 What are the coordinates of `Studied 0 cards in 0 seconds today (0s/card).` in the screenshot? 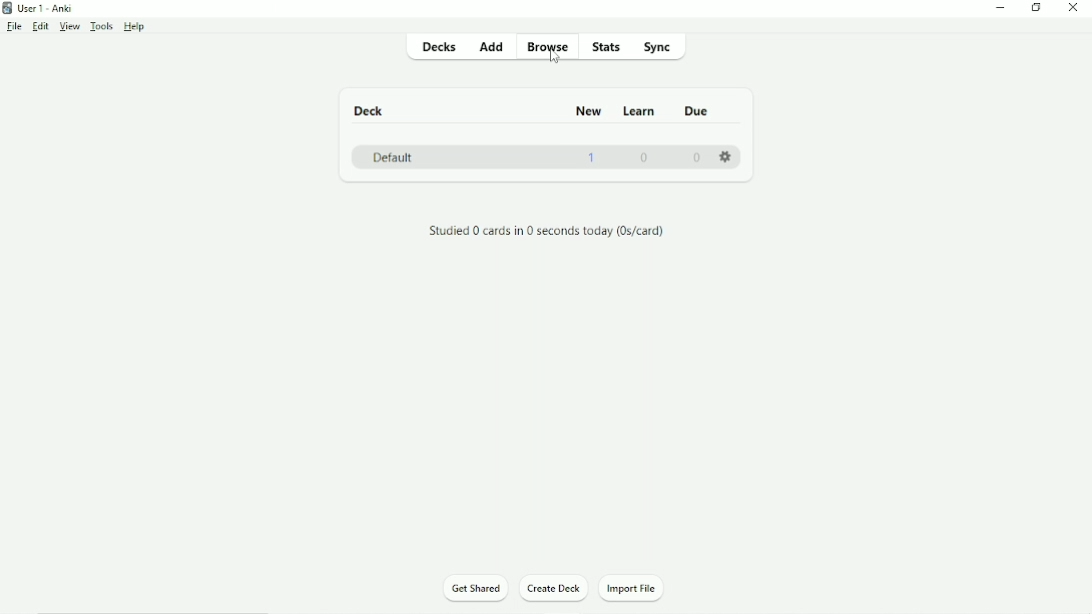 It's located at (546, 231).